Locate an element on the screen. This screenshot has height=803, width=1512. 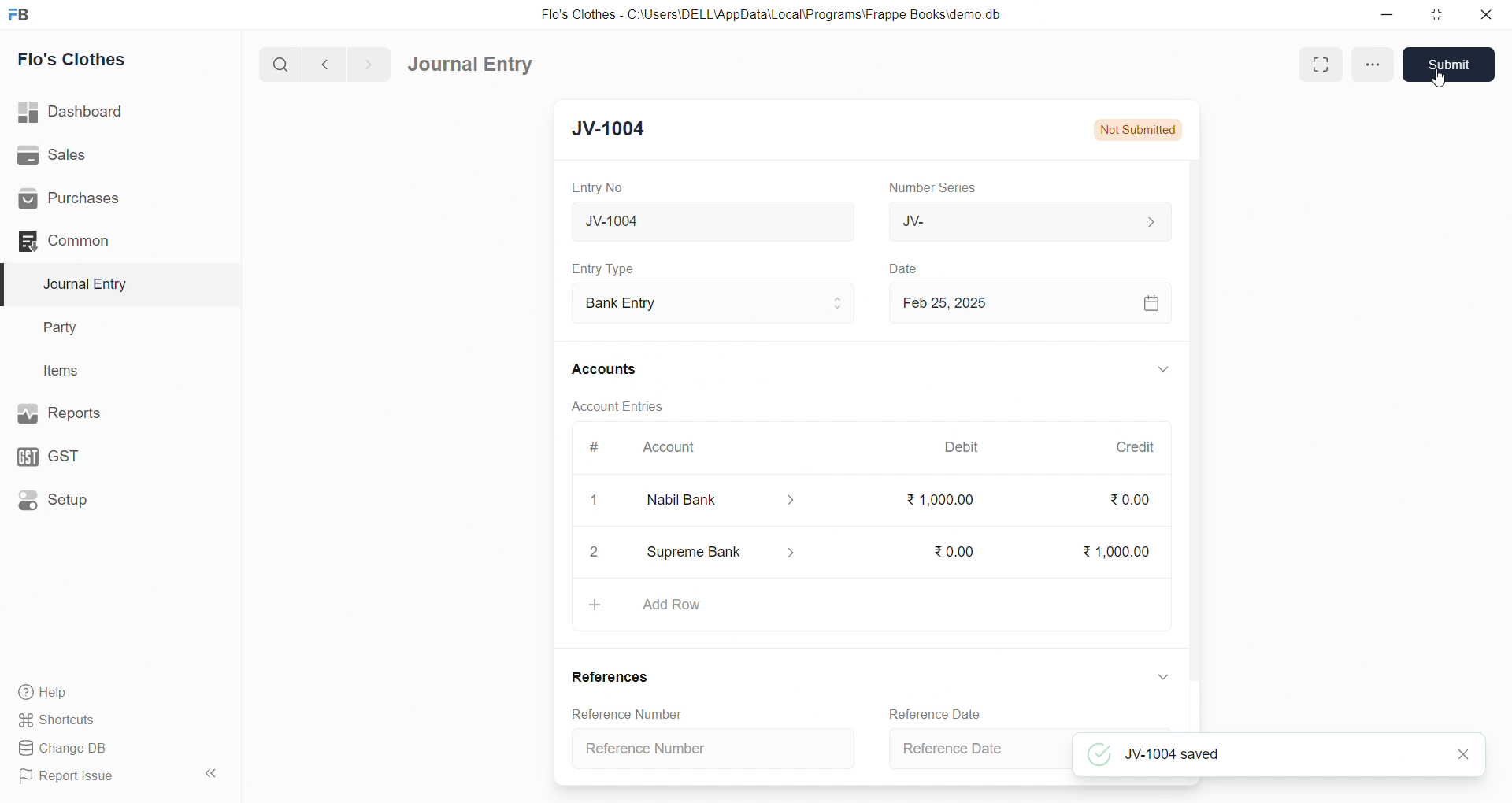
References is located at coordinates (610, 677).